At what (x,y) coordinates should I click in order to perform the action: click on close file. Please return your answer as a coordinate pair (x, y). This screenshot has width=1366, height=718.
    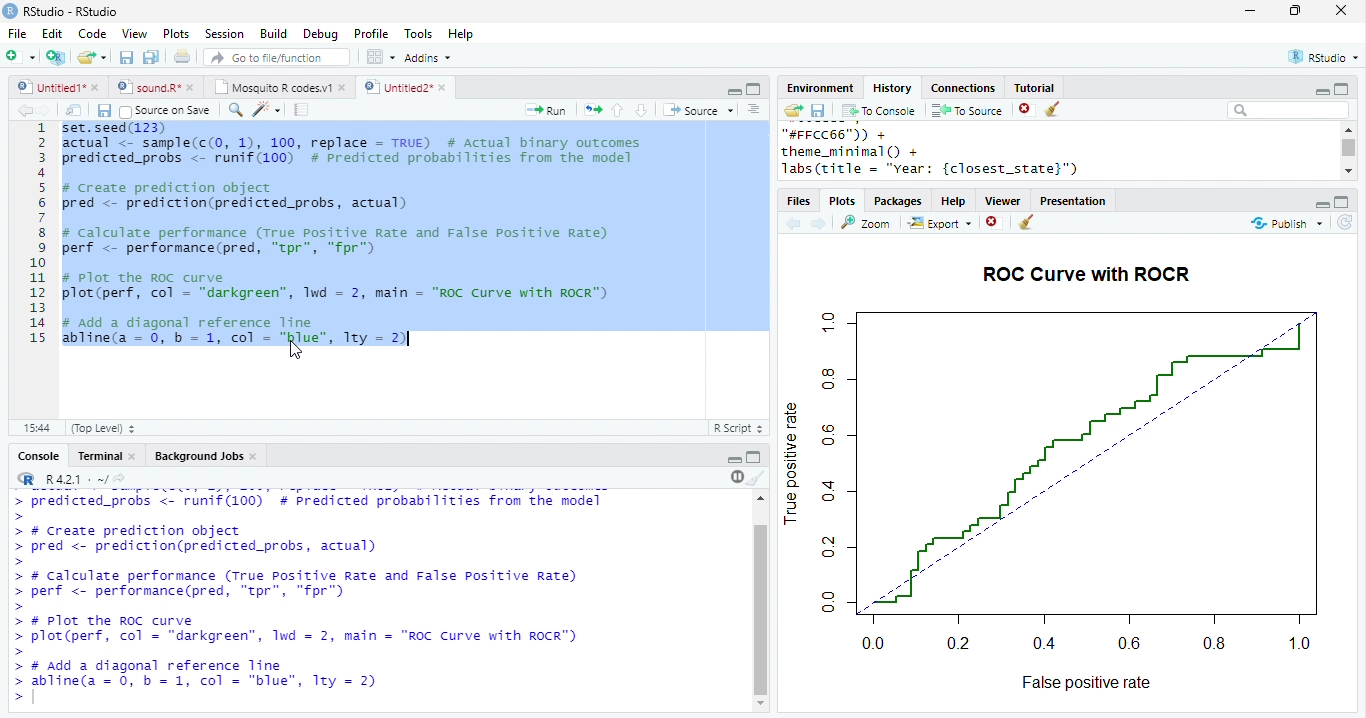
    Looking at the image, I should click on (1027, 110).